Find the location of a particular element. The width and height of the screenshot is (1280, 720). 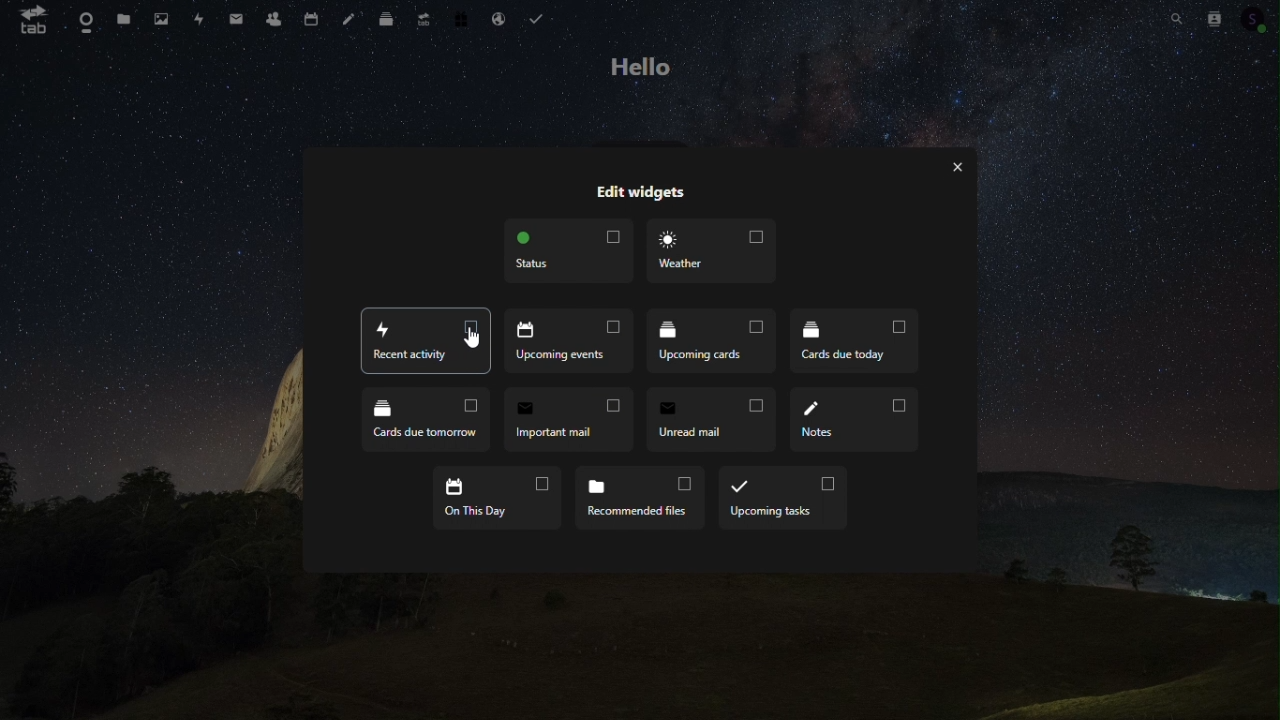

upcoming task is located at coordinates (784, 500).